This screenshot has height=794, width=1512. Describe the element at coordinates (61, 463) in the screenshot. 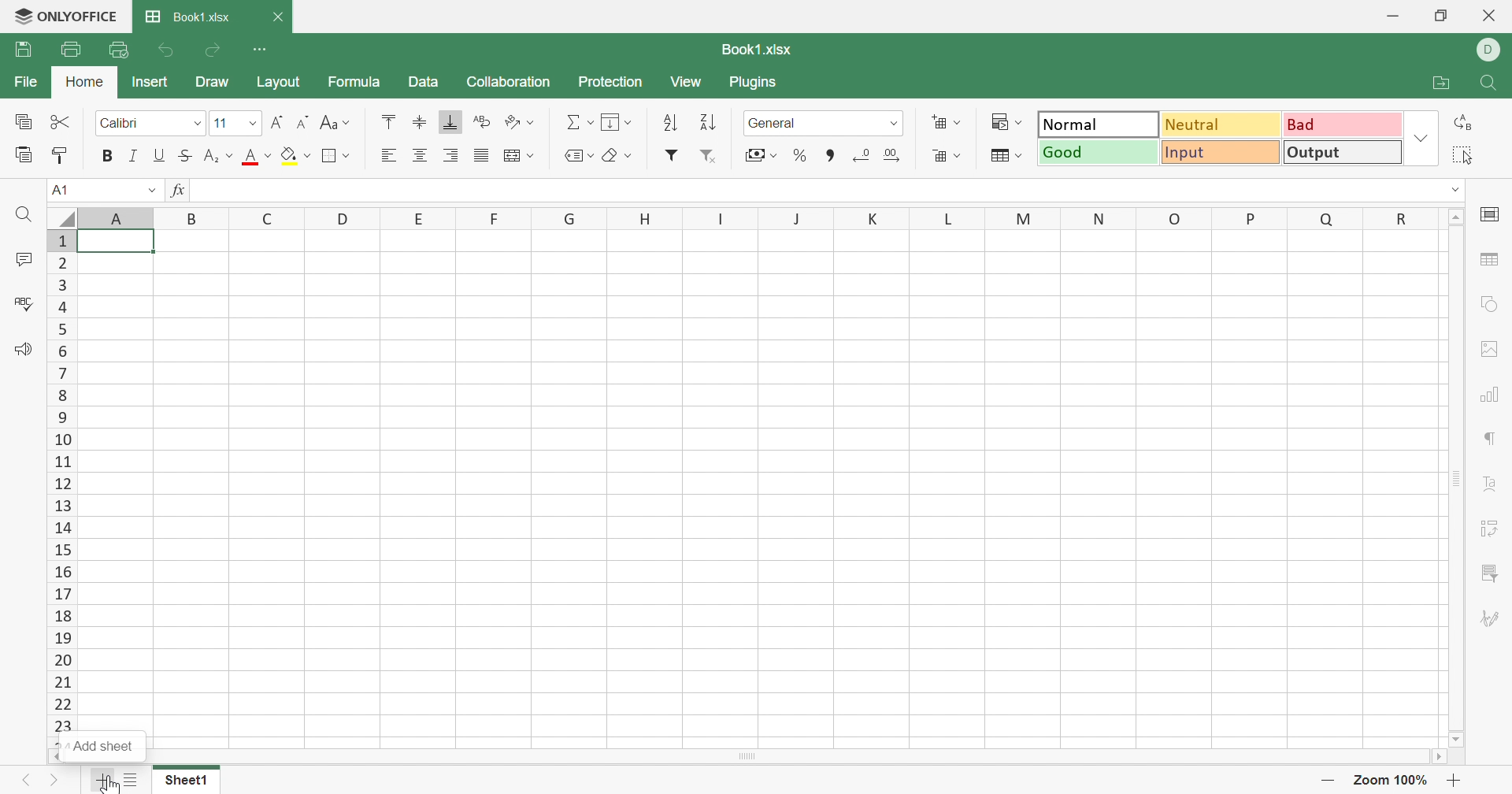

I see `11` at that location.